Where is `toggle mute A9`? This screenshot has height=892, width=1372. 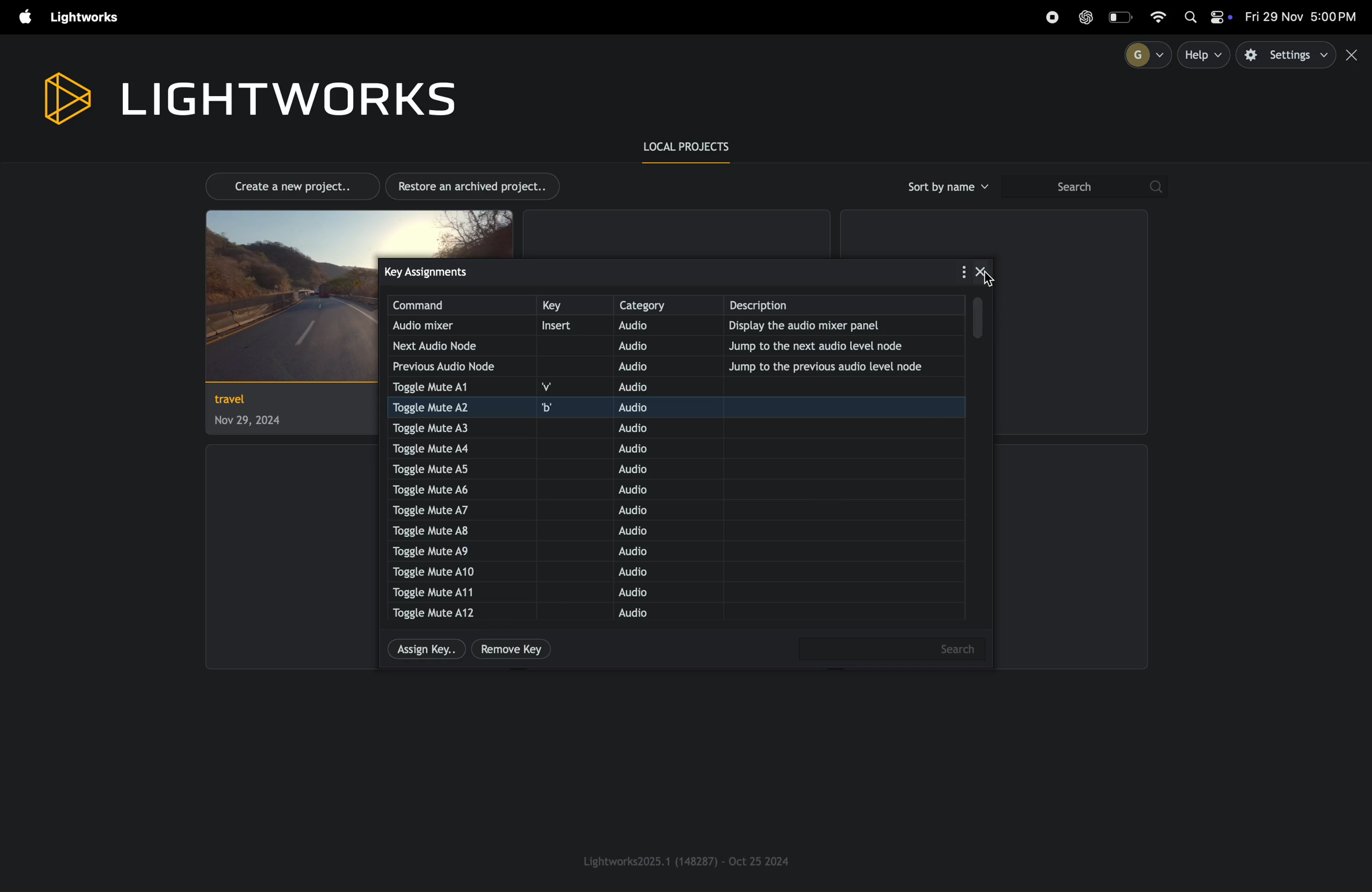 toggle mute A9 is located at coordinates (436, 550).